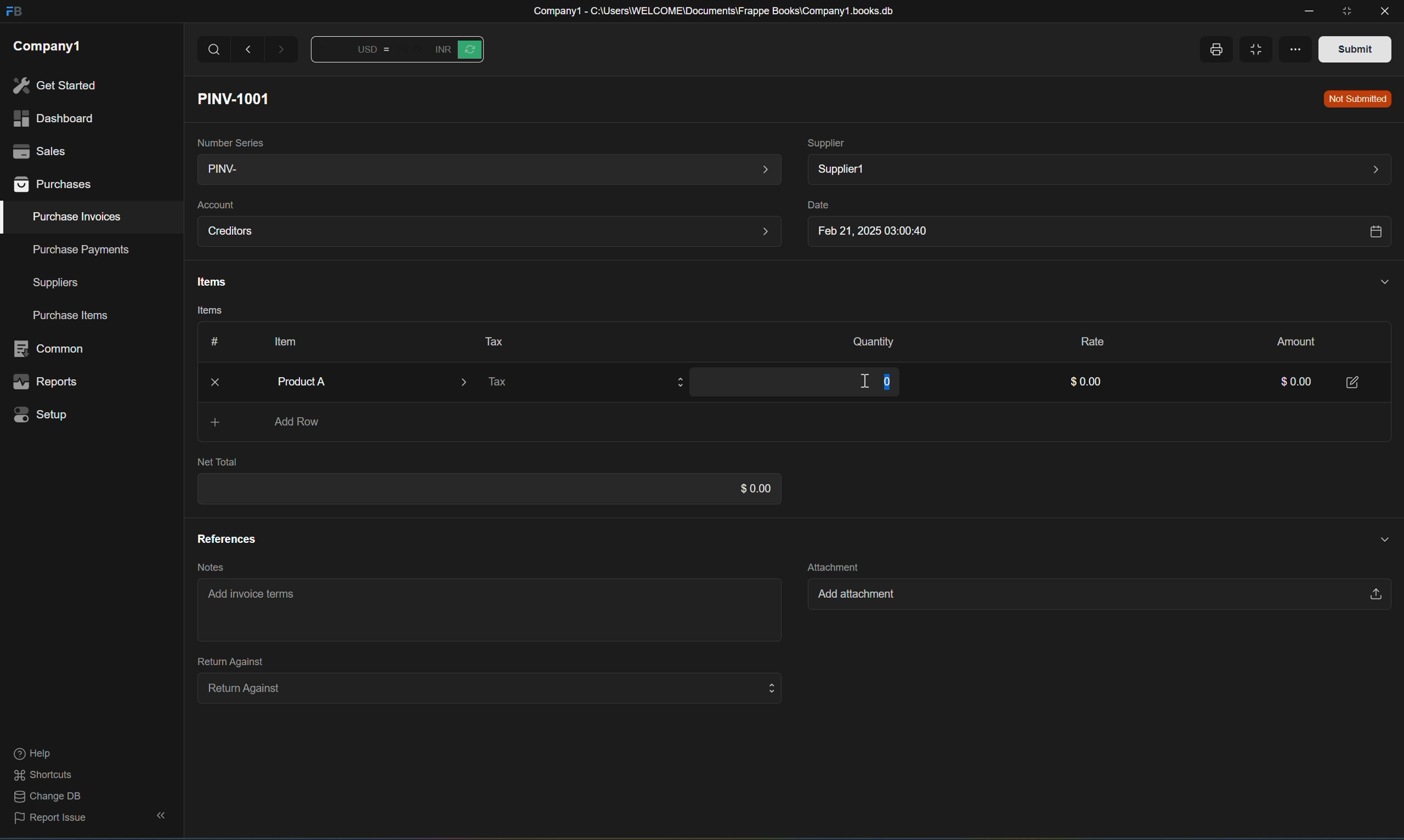 This screenshot has height=840, width=1404. I want to click on Full width toggle, so click(1252, 51).